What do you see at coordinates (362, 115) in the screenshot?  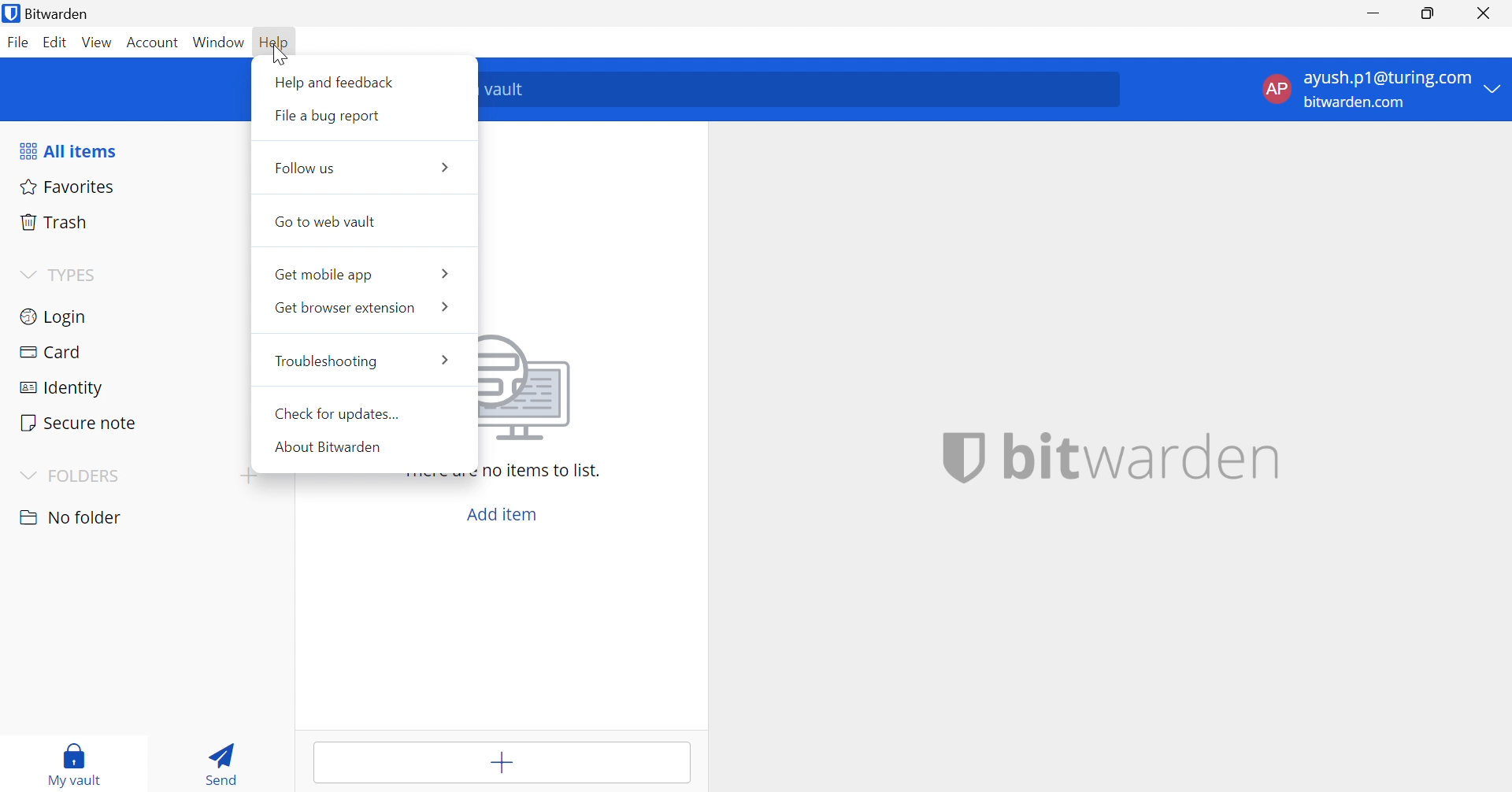 I see `File a bug report` at bounding box center [362, 115].